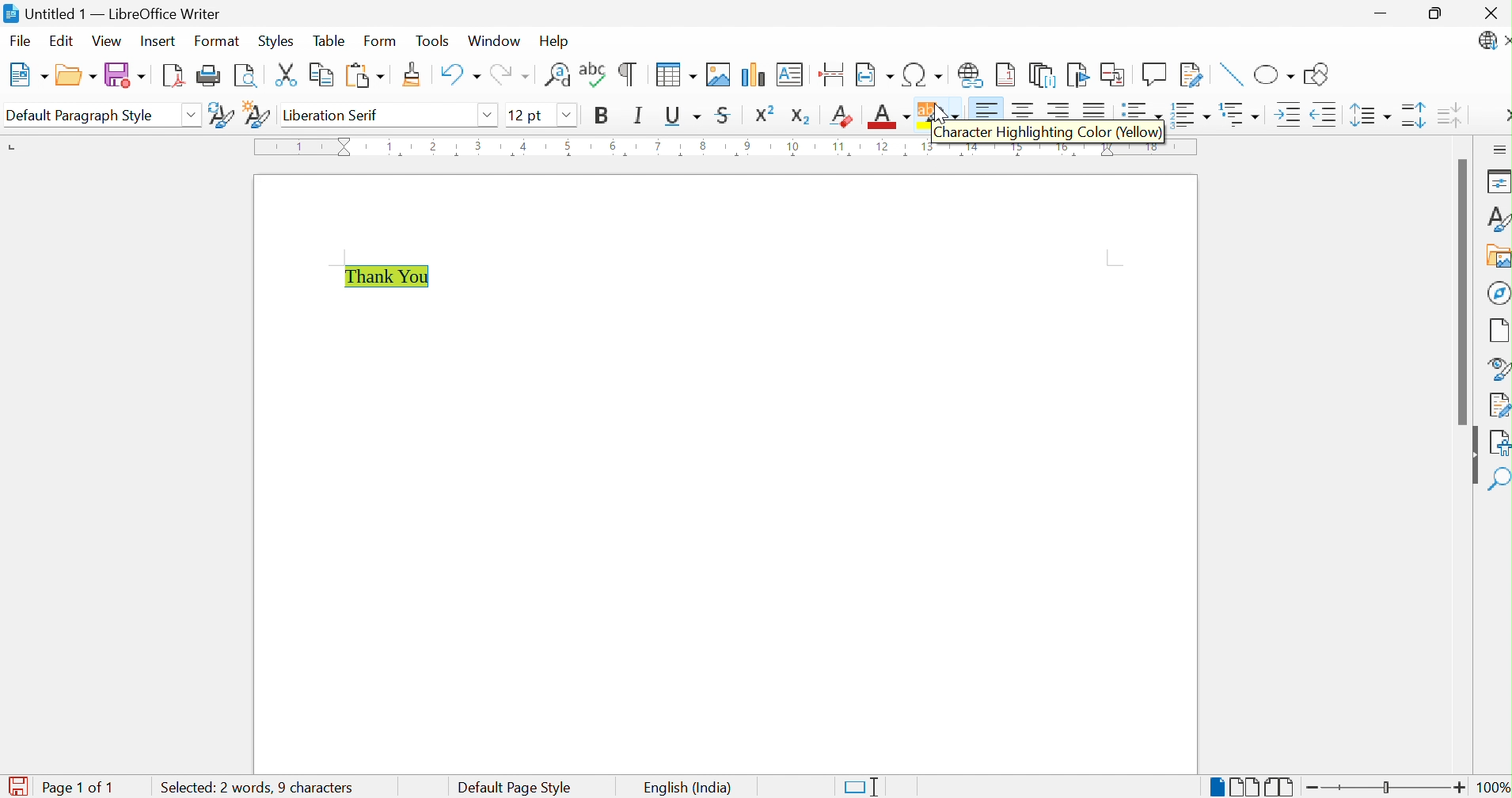 This screenshot has height=798, width=1512. What do you see at coordinates (1497, 405) in the screenshot?
I see `Manage Changes` at bounding box center [1497, 405].